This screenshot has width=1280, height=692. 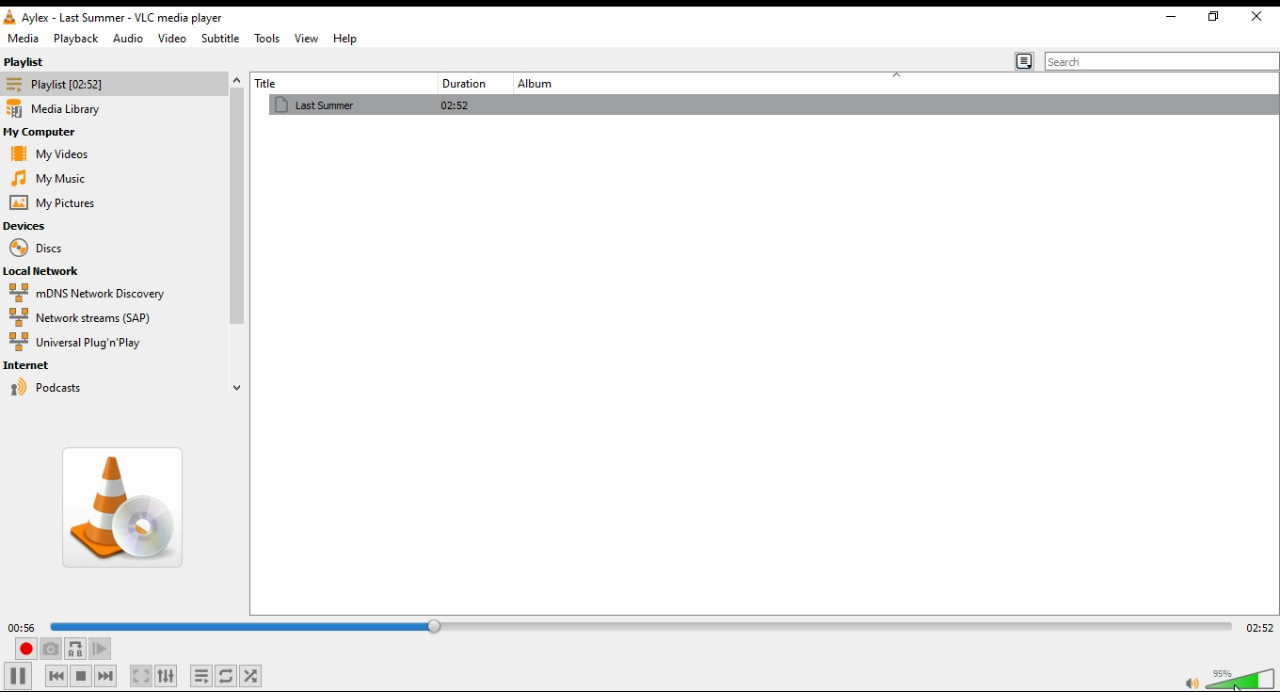 I want to click on mute/unmute, so click(x=1190, y=681).